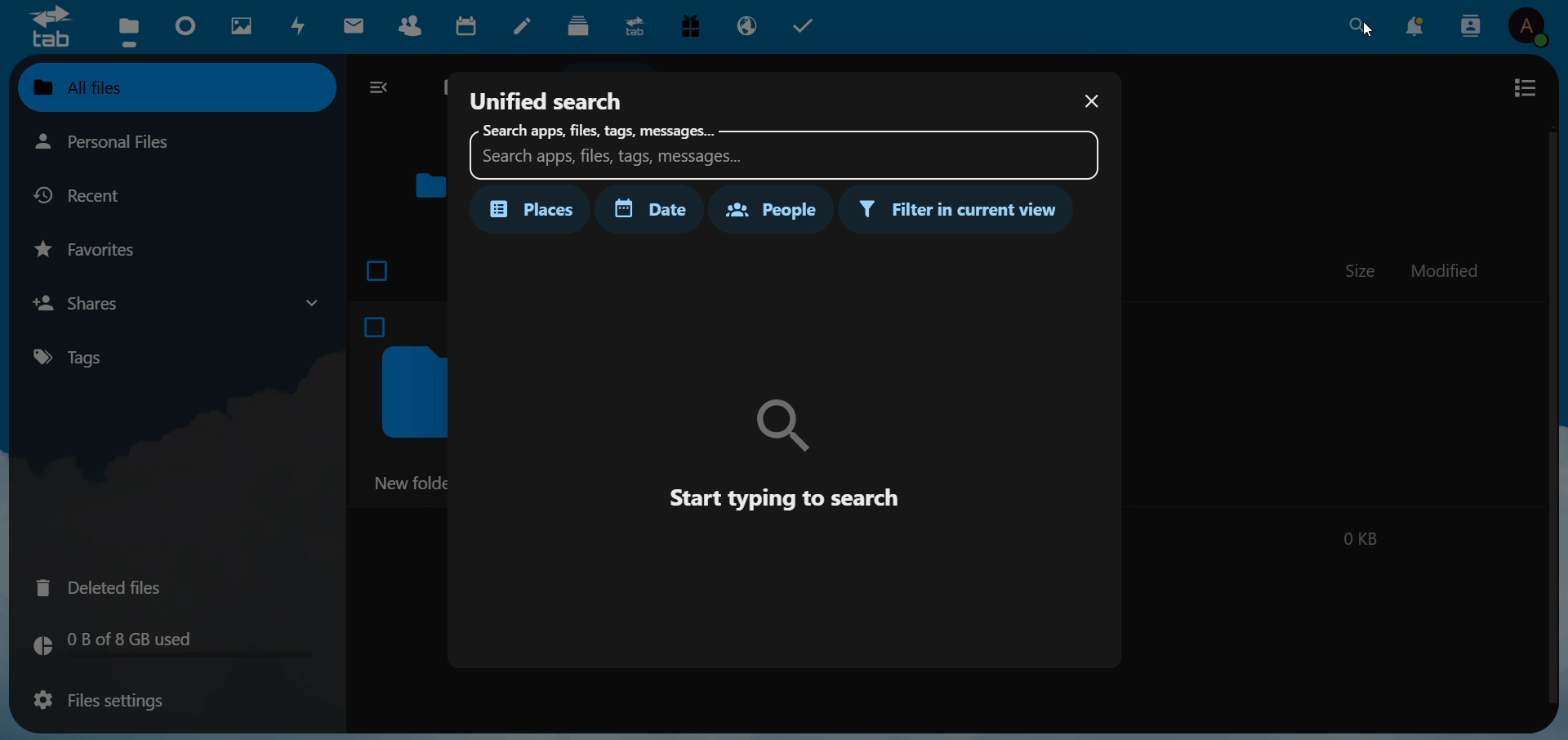 Image resolution: width=1568 pixels, height=740 pixels. I want to click on filter in current view, so click(961, 211).